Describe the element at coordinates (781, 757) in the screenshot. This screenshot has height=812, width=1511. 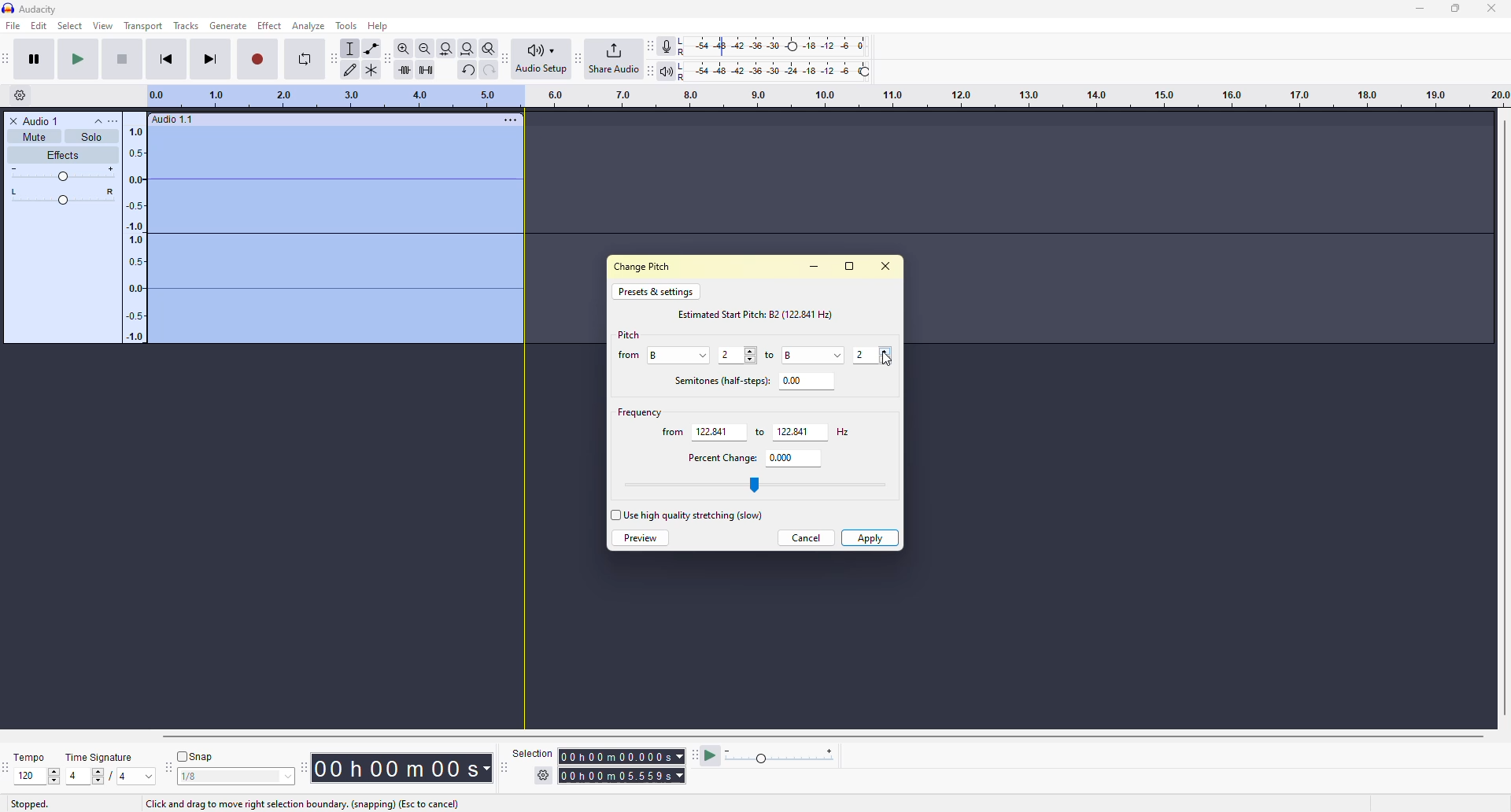
I see `play meter` at that location.